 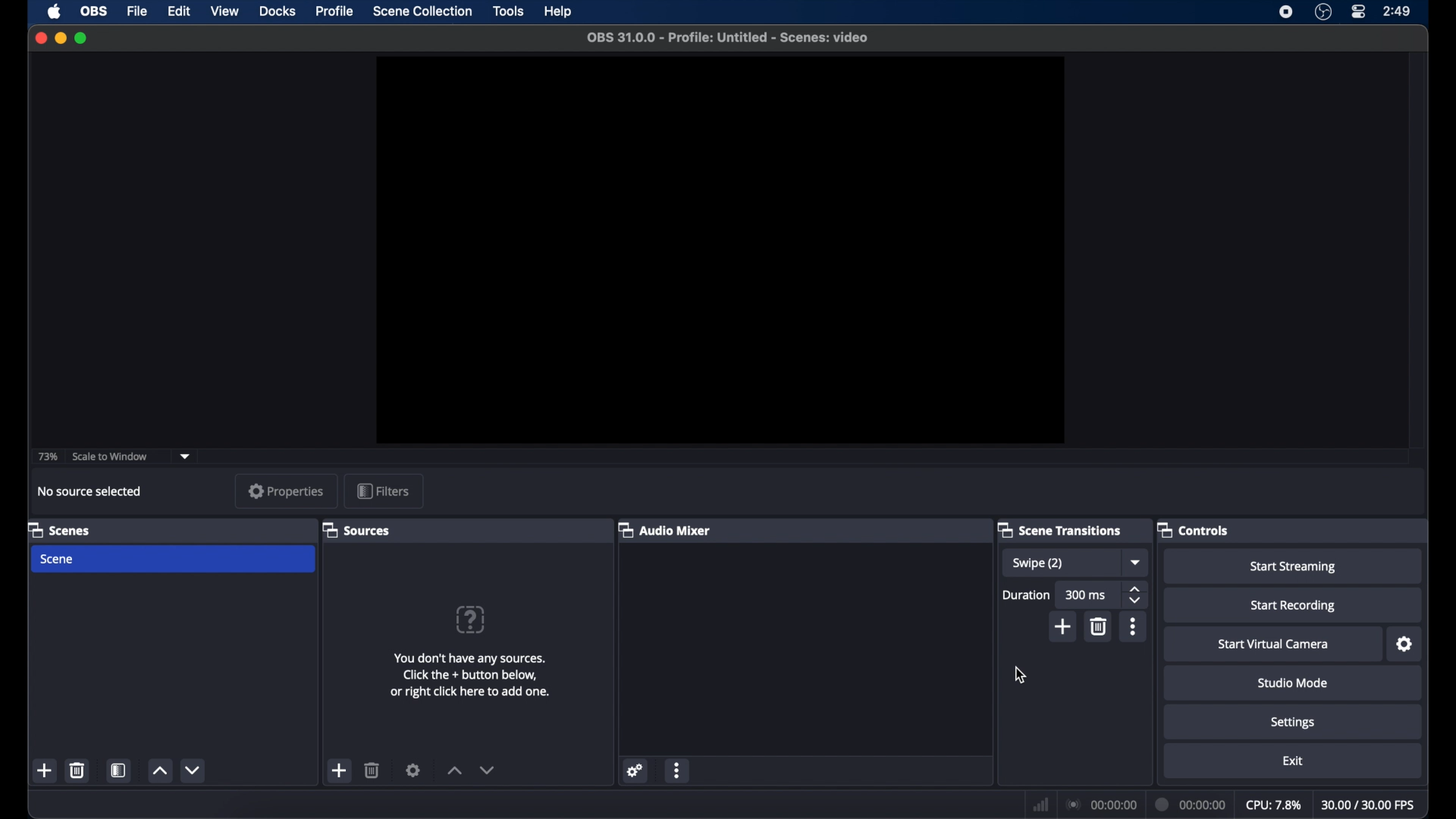 What do you see at coordinates (77, 770) in the screenshot?
I see `delete` at bounding box center [77, 770].